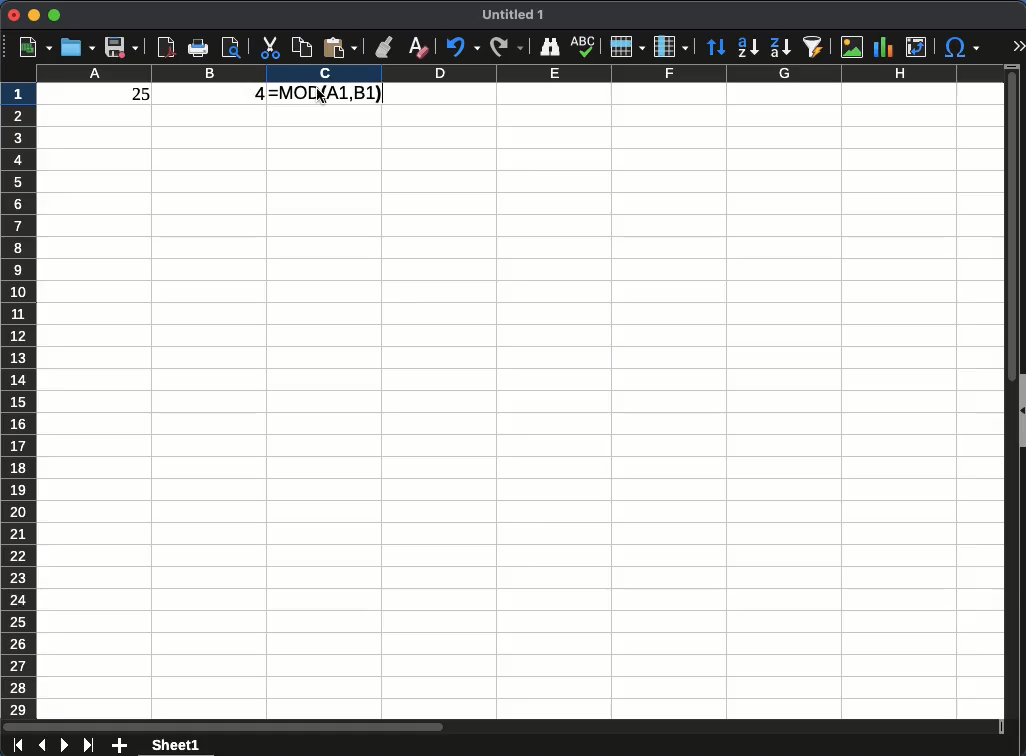  I want to click on open, so click(78, 47).